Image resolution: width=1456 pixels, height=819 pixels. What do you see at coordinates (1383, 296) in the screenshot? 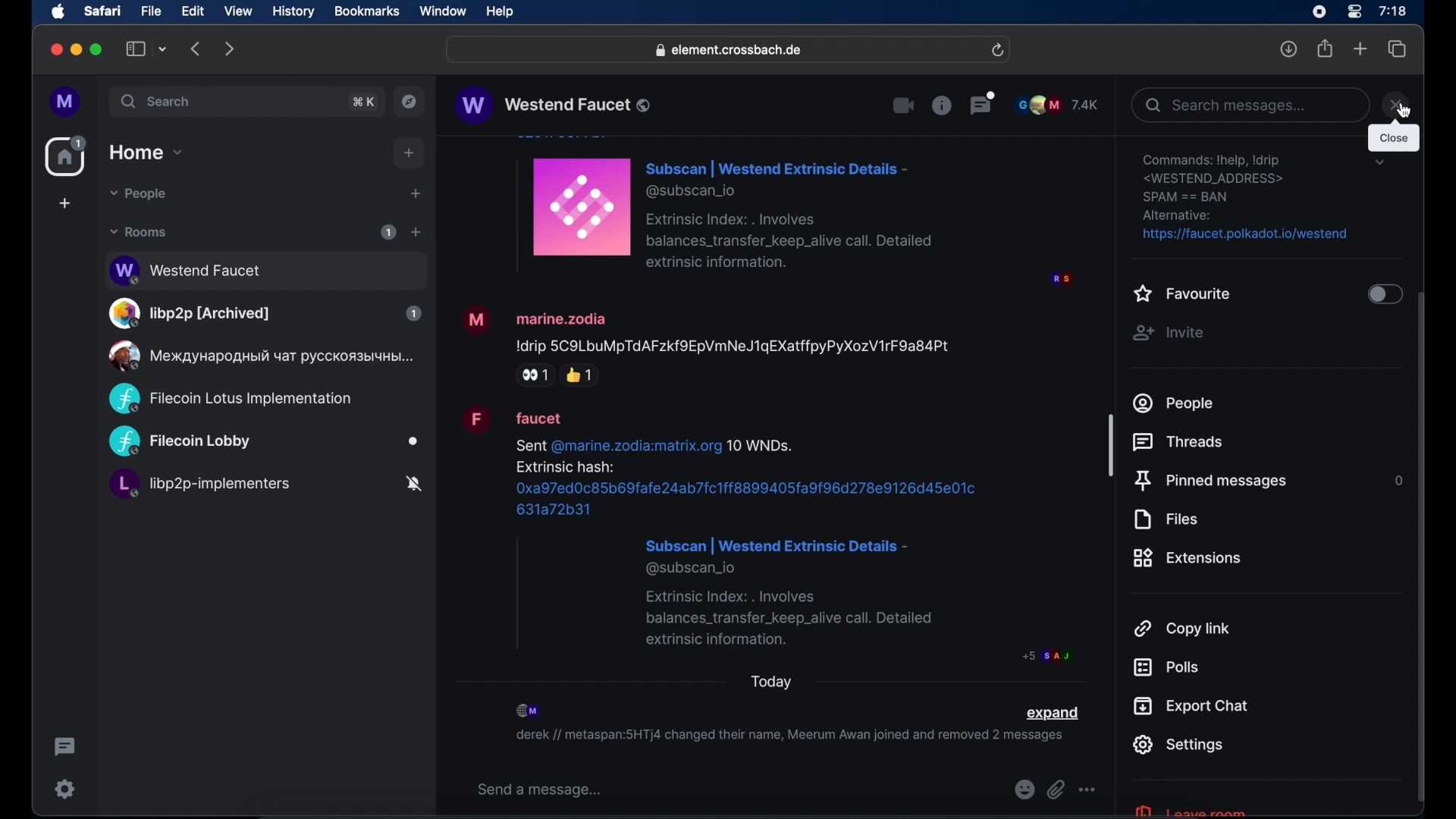
I see `toggle button` at bounding box center [1383, 296].